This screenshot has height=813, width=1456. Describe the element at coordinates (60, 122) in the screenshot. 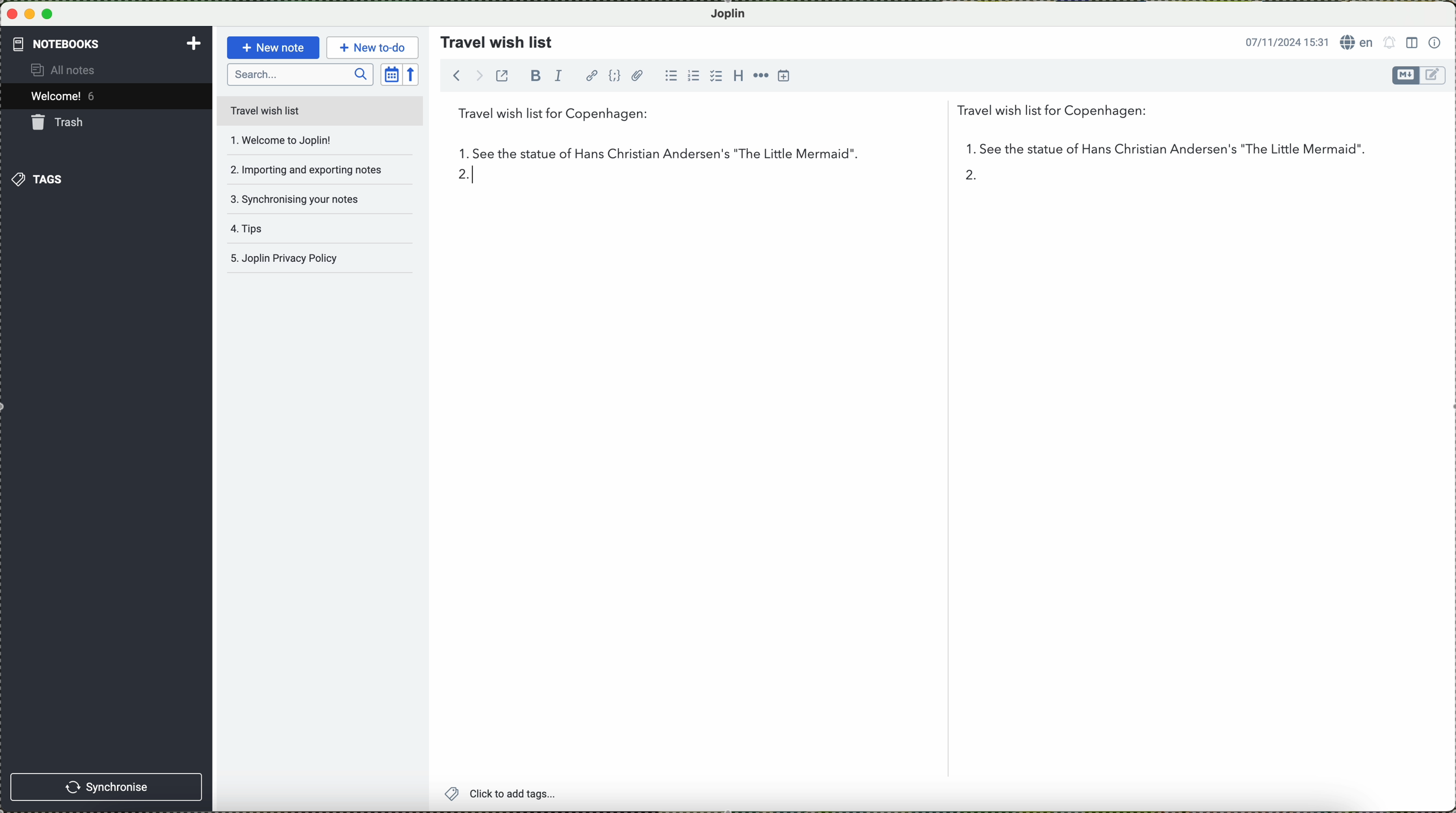

I see `trash` at that location.